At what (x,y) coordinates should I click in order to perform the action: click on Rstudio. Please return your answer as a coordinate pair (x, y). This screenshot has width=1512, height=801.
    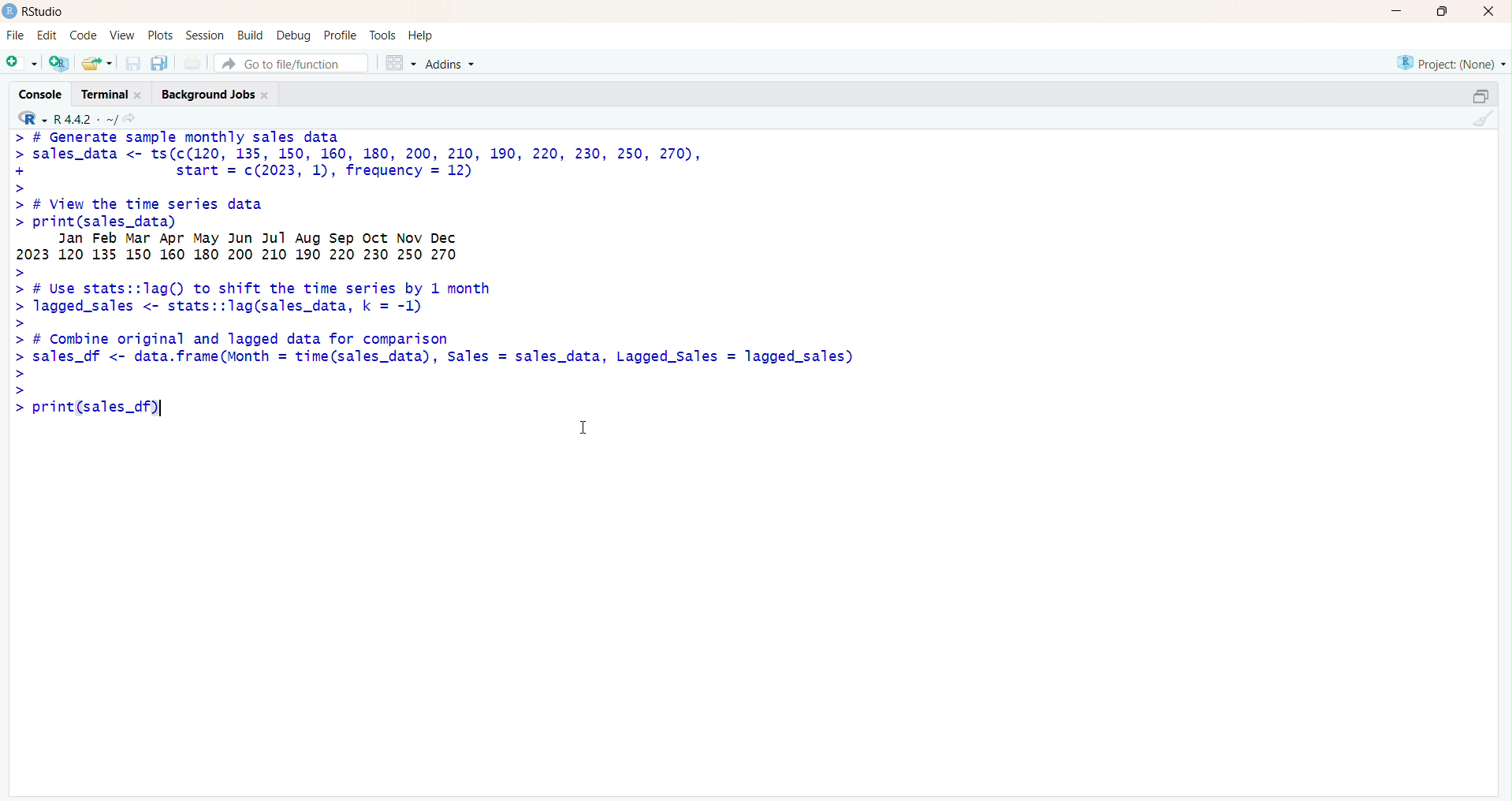
    Looking at the image, I should click on (35, 12).